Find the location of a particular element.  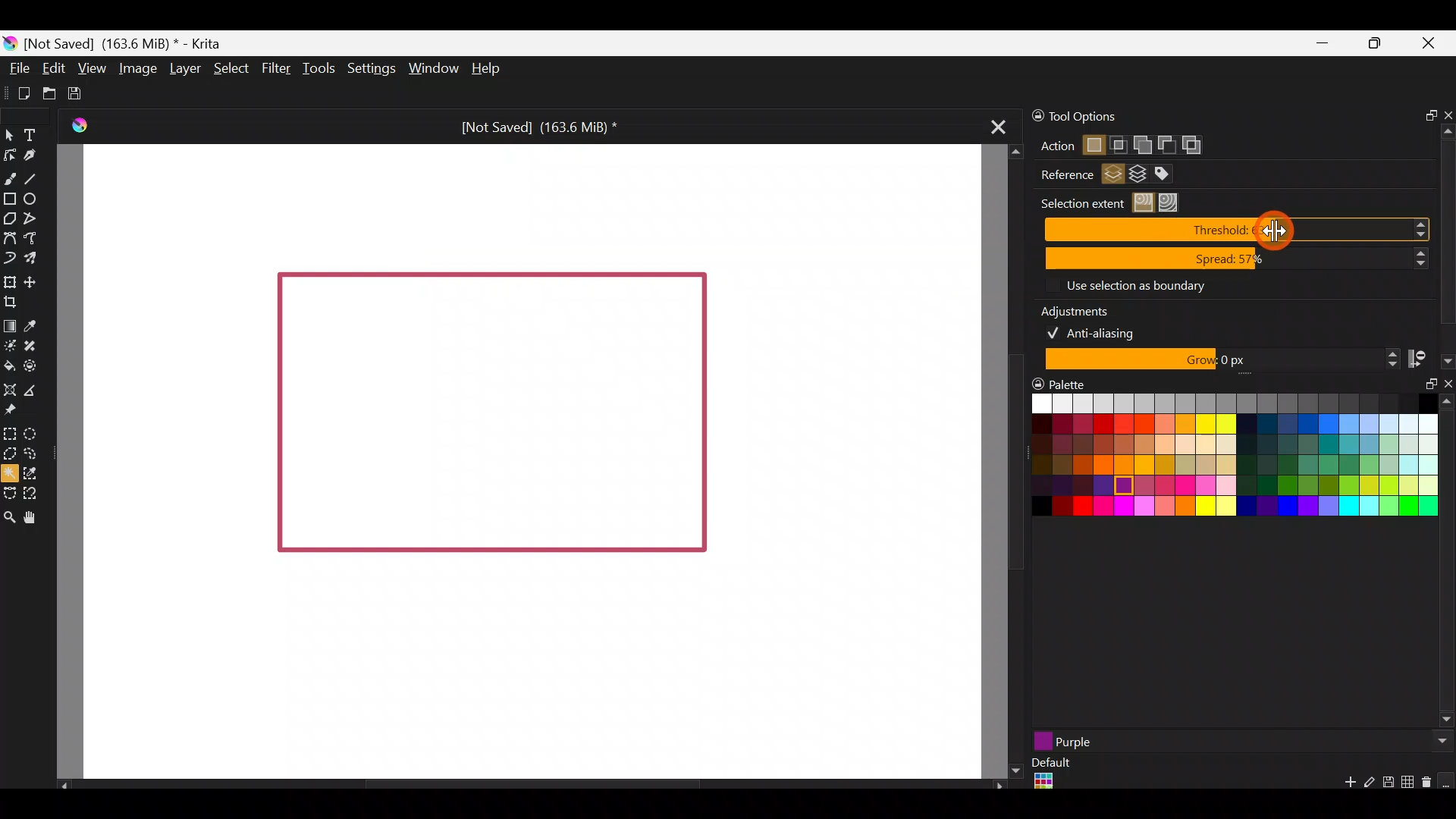

Add a new colour swatch is located at coordinates (1342, 786).